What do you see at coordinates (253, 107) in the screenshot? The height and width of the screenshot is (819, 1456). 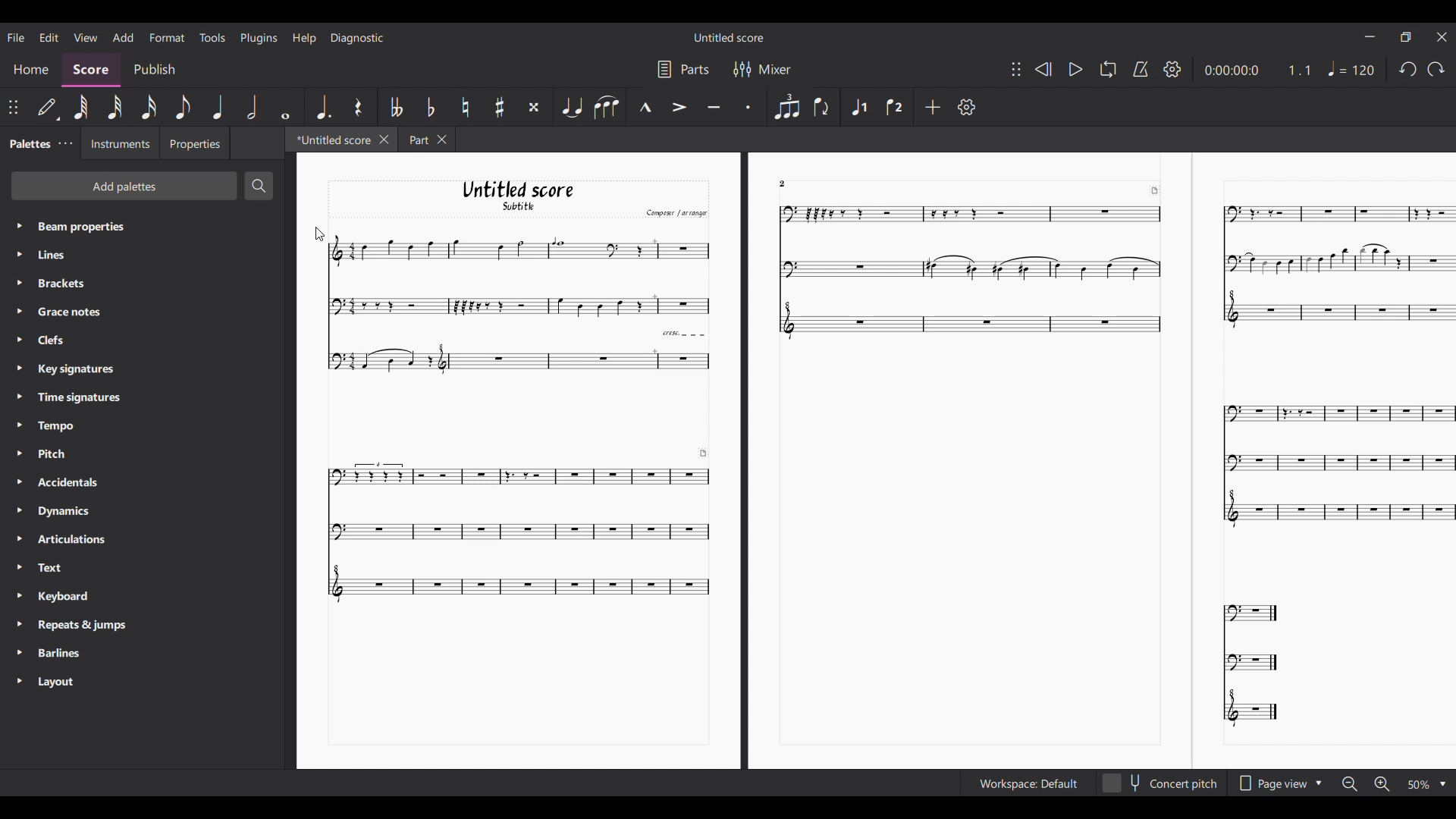 I see `Half note` at bounding box center [253, 107].